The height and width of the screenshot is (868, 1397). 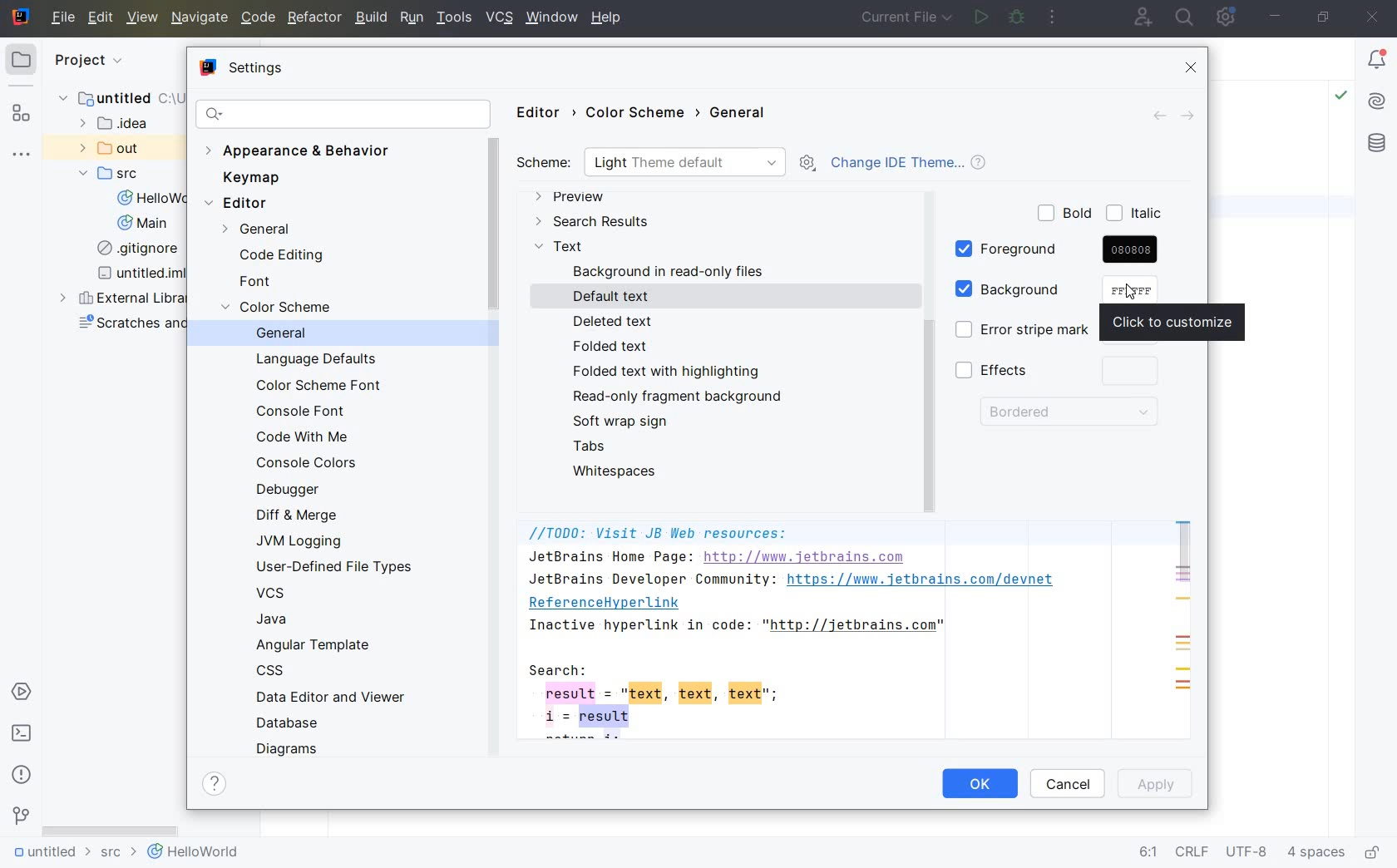 I want to click on cursor, so click(x=1133, y=291).